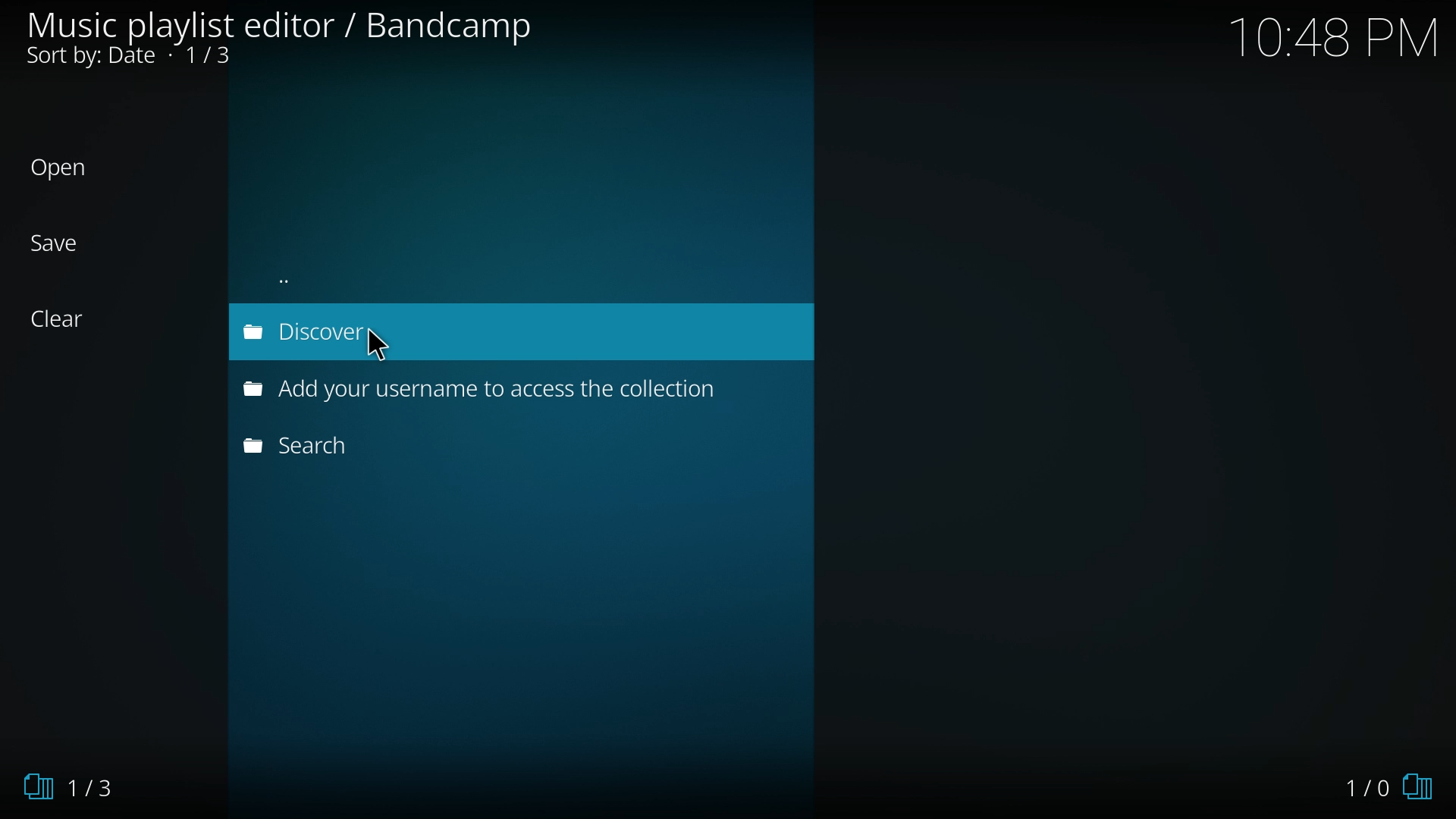 The height and width of the screenshot is (819, 1456). I want to click on Open, so click(71, 169).